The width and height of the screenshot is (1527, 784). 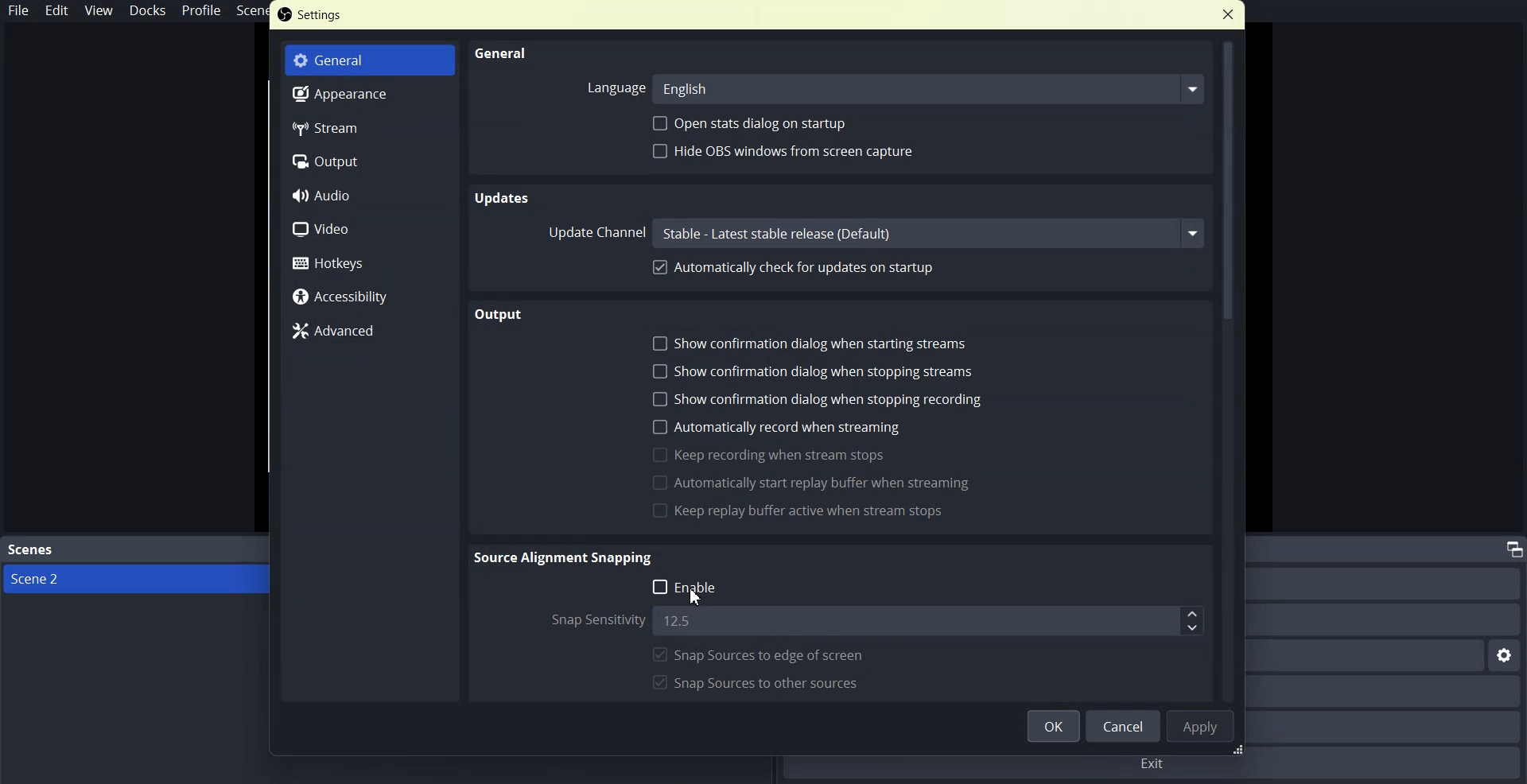 What do you see at coordinates (45, 580) in the screenshot?
I see `scene 2` at bounding box center [45, 580].